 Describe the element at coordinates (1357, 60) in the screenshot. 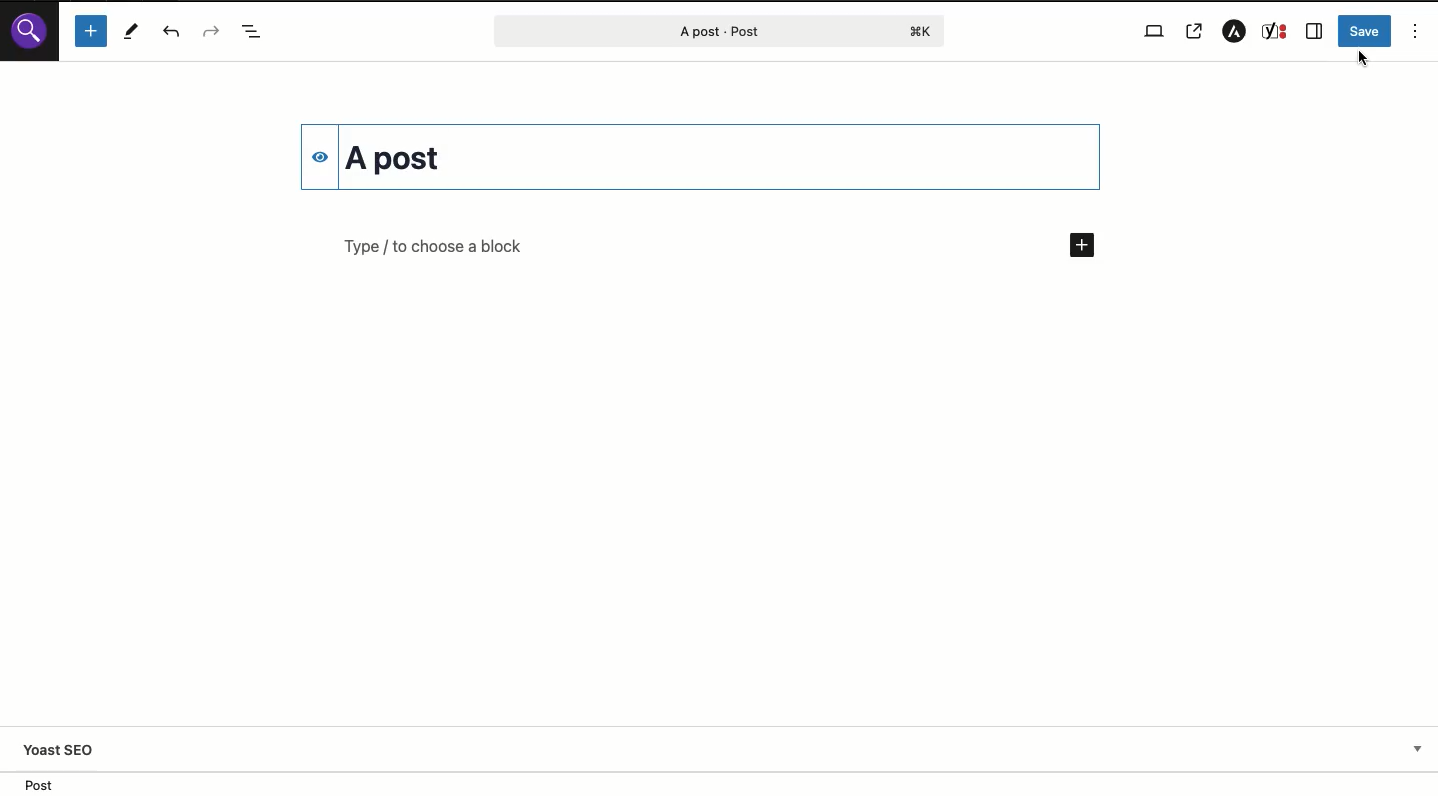

I see `Cursor` at that location.